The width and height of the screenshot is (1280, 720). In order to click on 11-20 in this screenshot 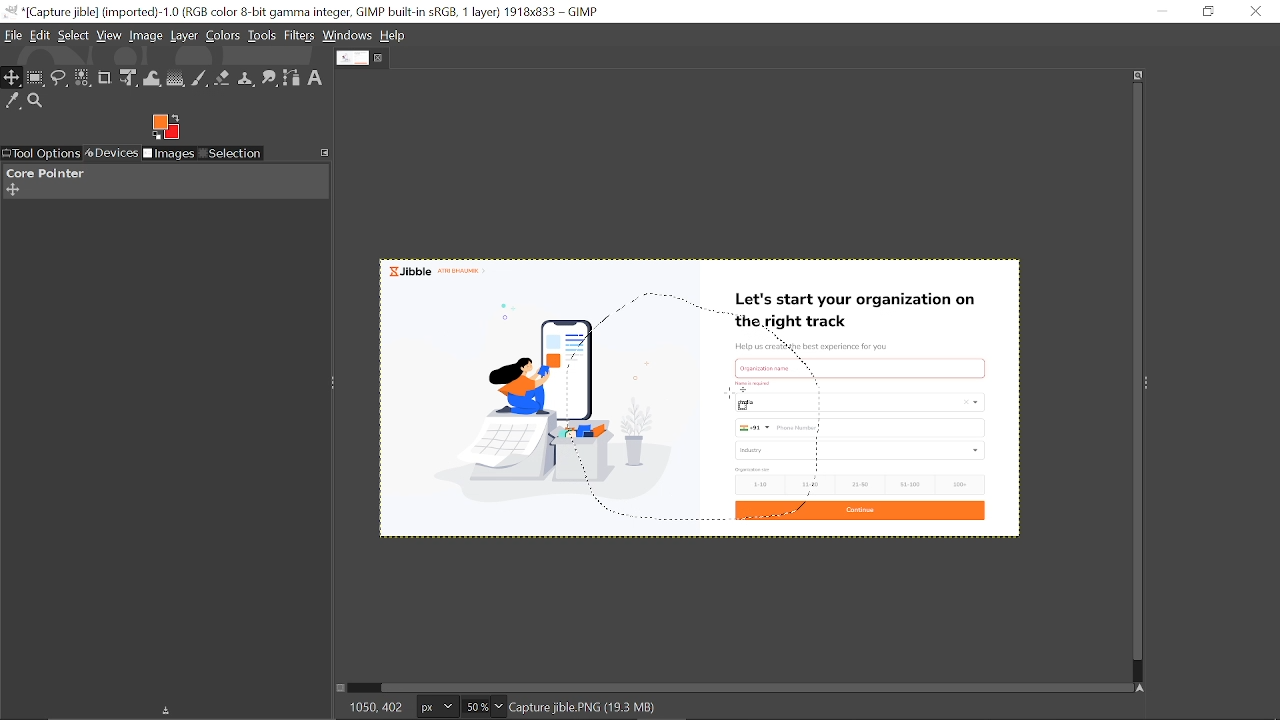, I will do `click(814, 483)`.